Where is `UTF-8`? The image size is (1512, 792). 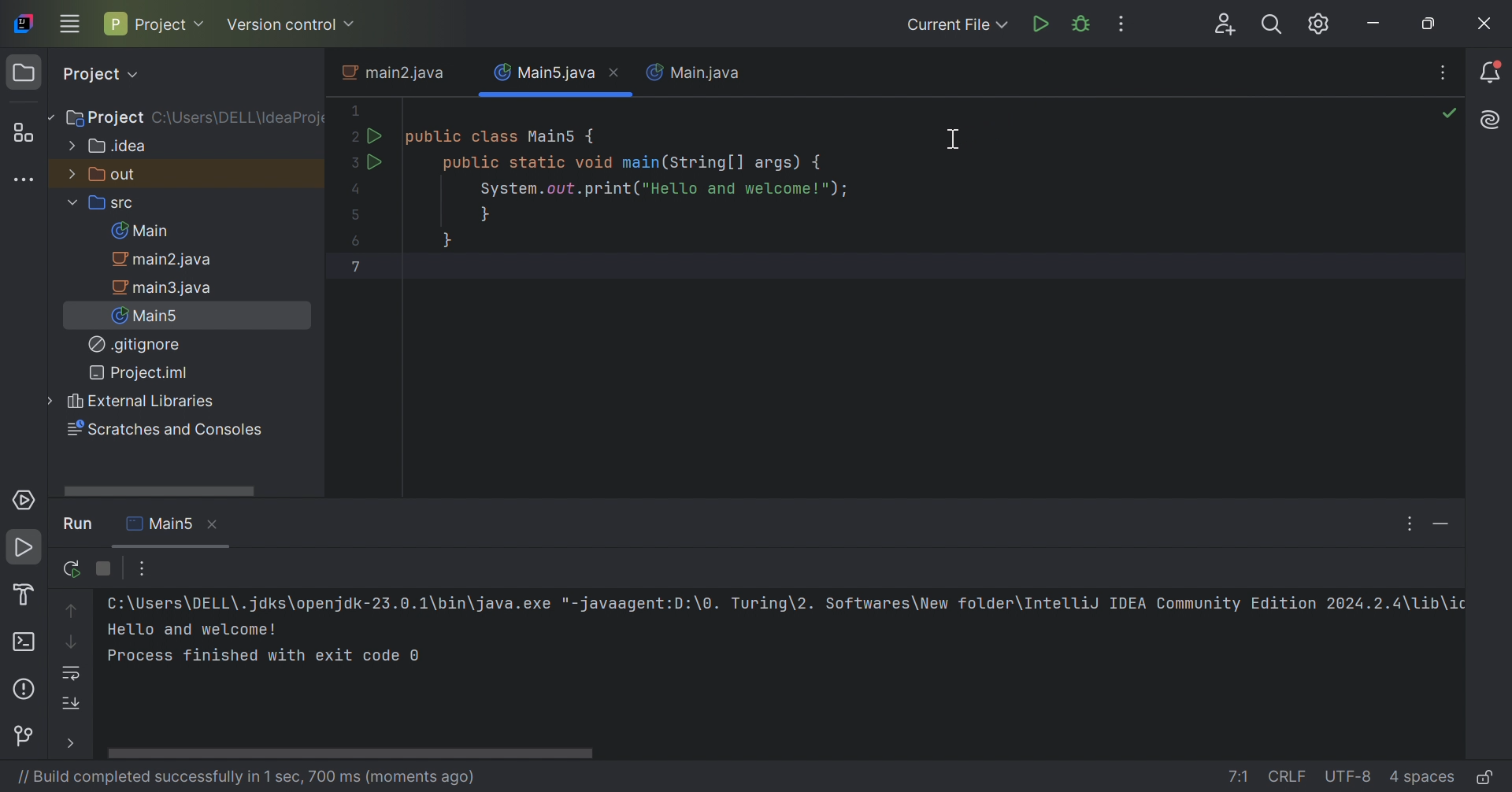 UTF-8 is located at coordinates (1349, 777).